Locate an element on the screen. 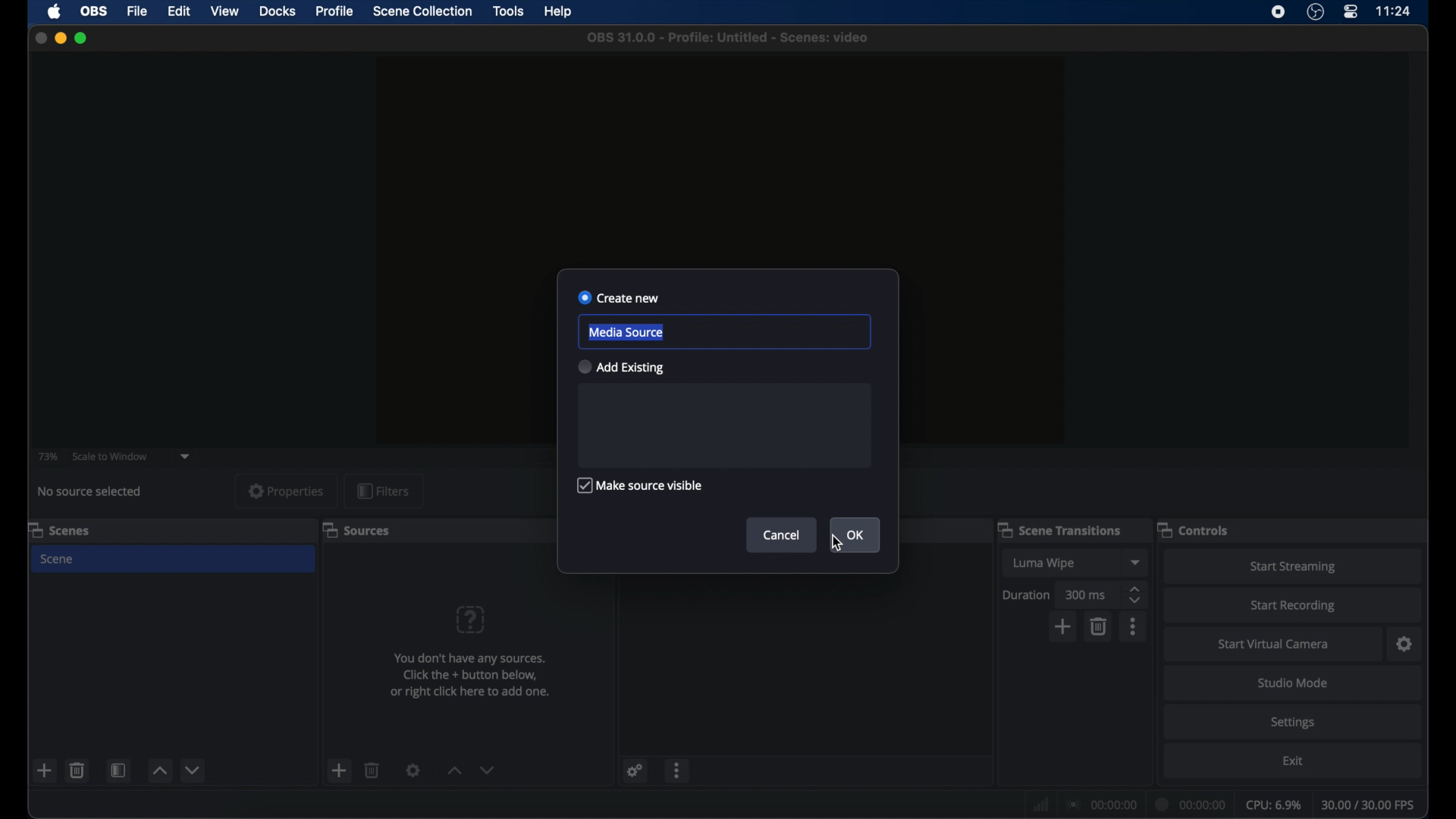 The image size is (1456, 819). scene filters is located at coordinates (118, 770).